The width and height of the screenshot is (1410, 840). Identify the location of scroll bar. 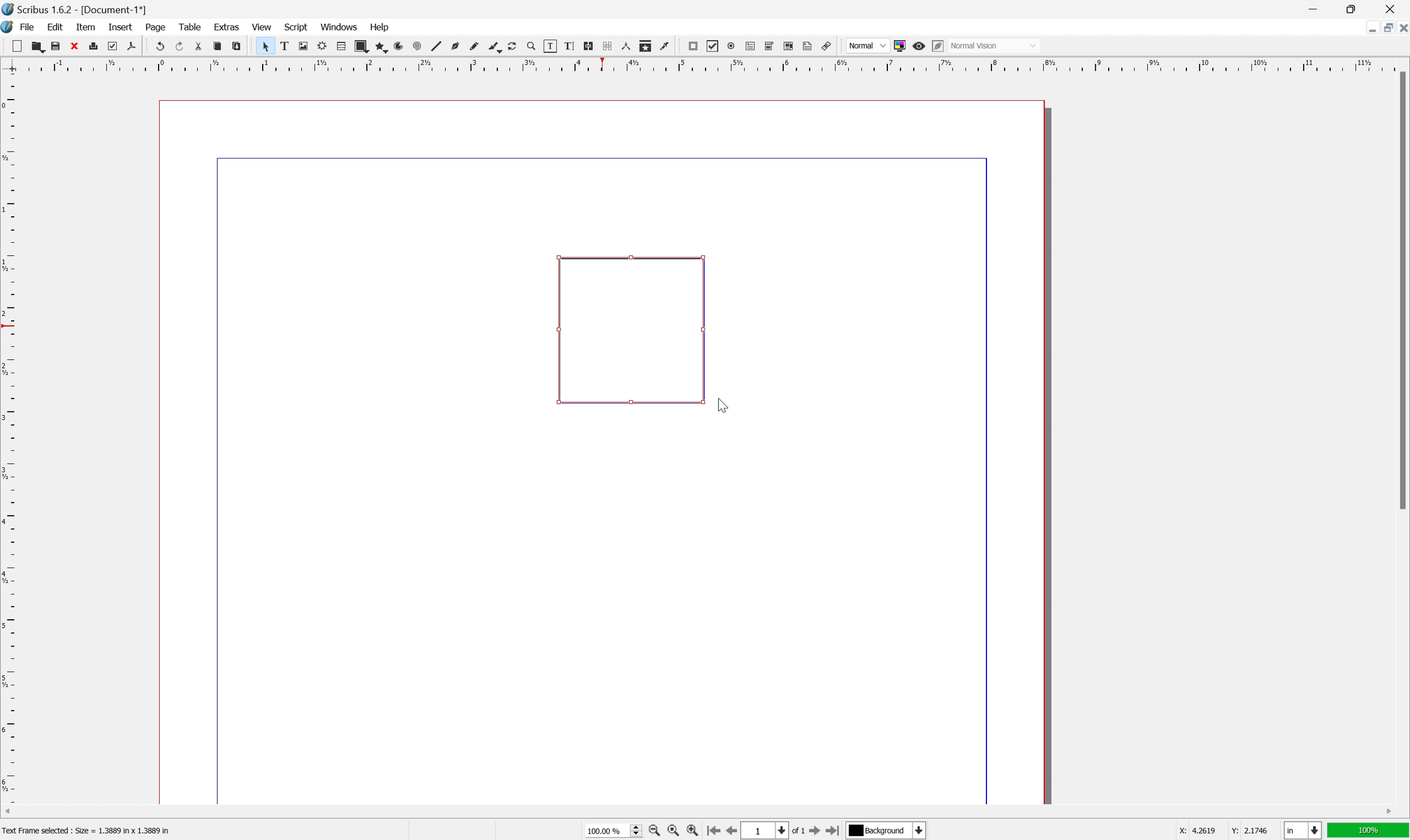
(1401, 290).